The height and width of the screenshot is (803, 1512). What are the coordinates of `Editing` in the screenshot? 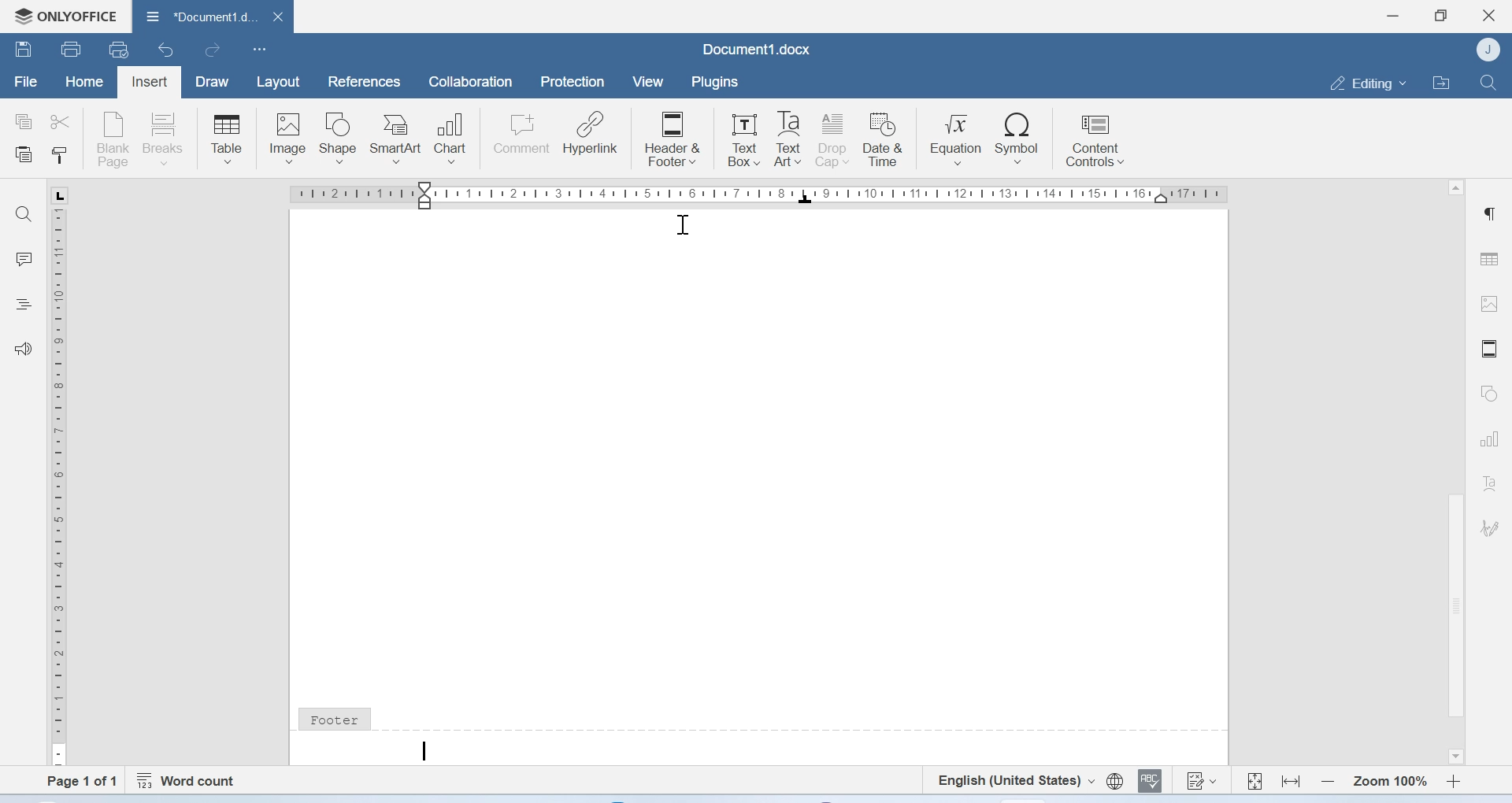 It's located at (1364, 82).